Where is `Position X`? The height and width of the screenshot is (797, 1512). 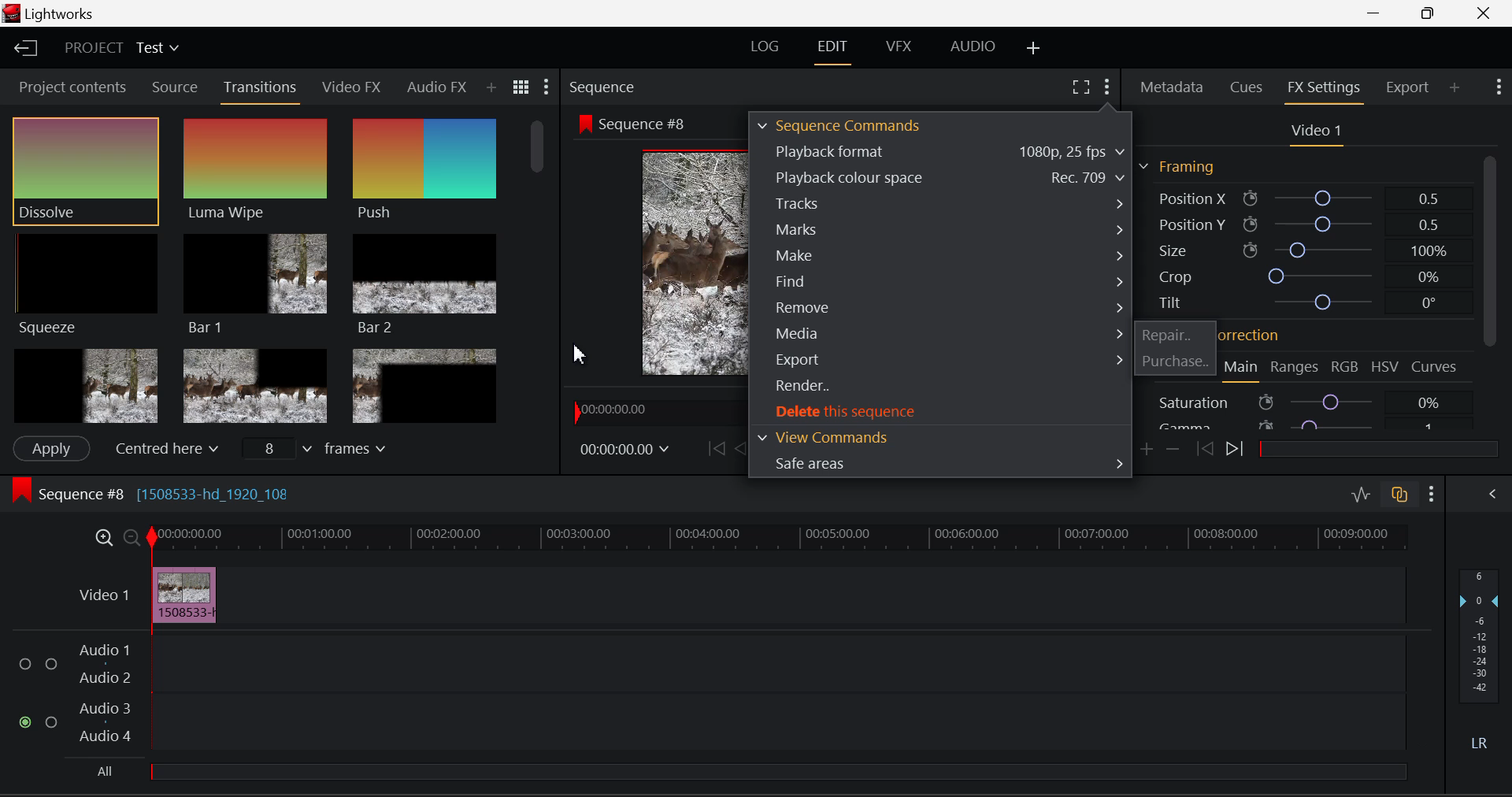
Position X is located at coordinates (1299, 197).